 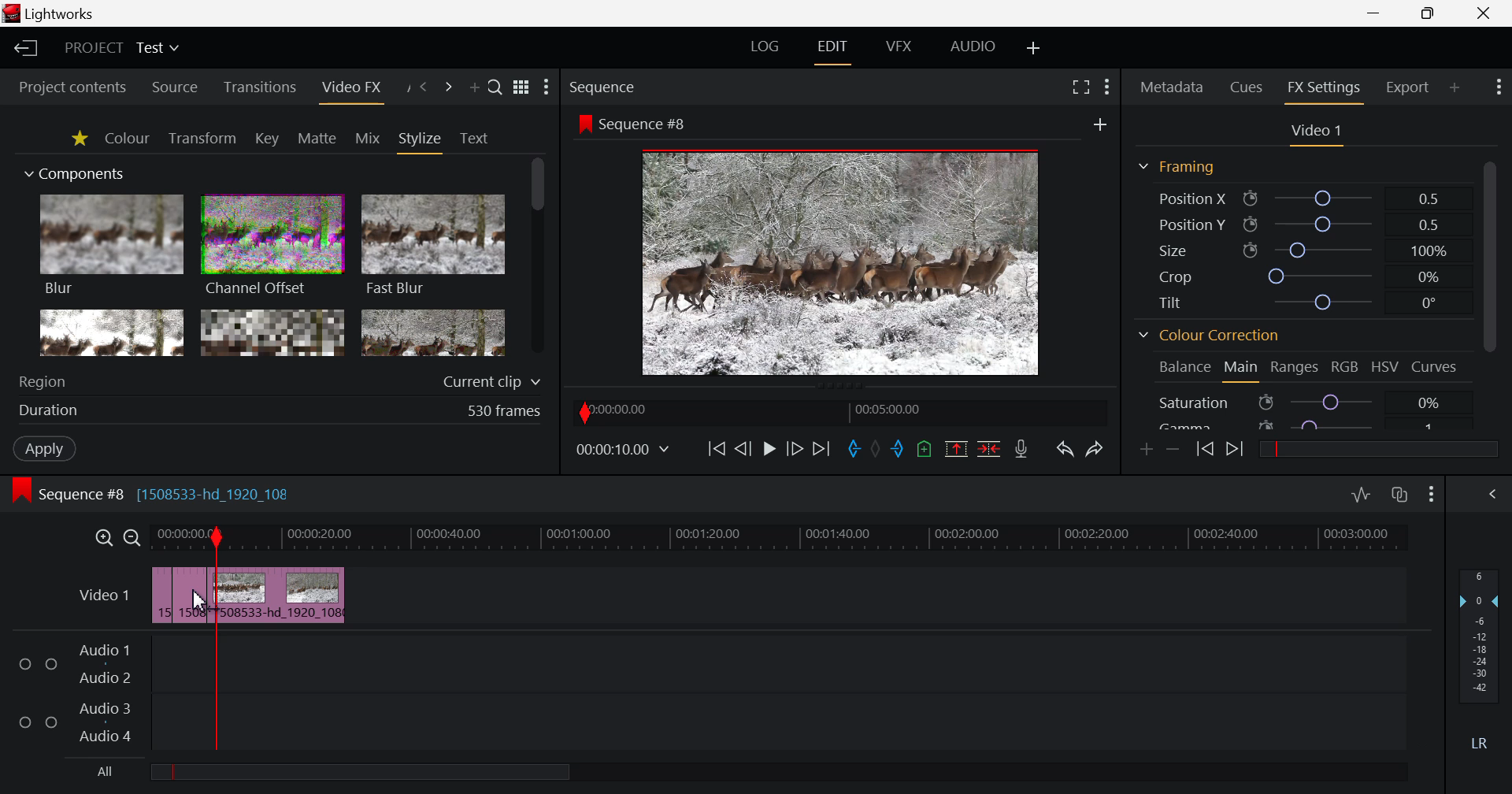 What do you see at coordinates (632, 86) in the screenshot?
I see `Sequence` at bounding box center [632, 86].